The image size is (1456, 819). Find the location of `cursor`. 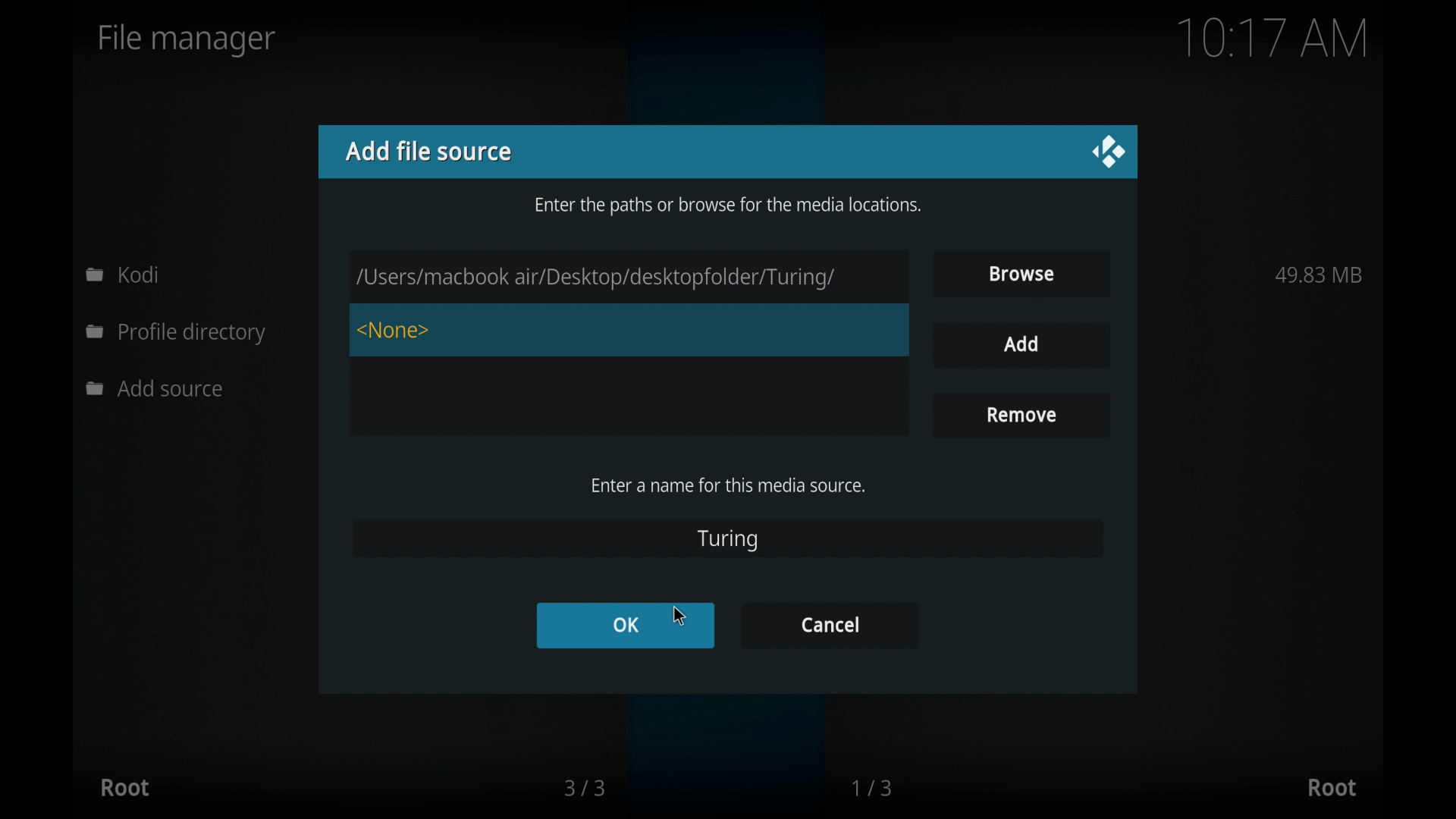

cursor is located at coordinates (679, 617).